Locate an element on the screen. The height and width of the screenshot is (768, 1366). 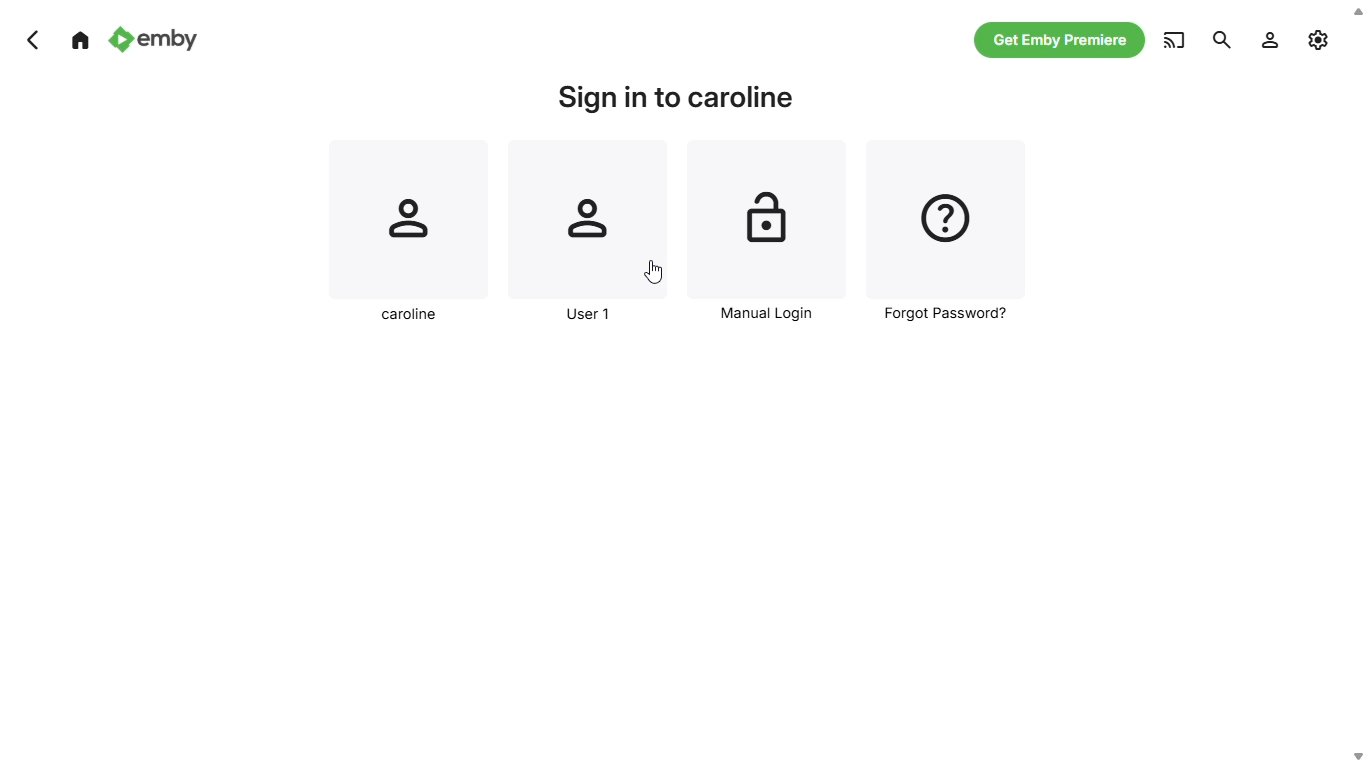
scrollbar is located at coordinates (1355, 383).